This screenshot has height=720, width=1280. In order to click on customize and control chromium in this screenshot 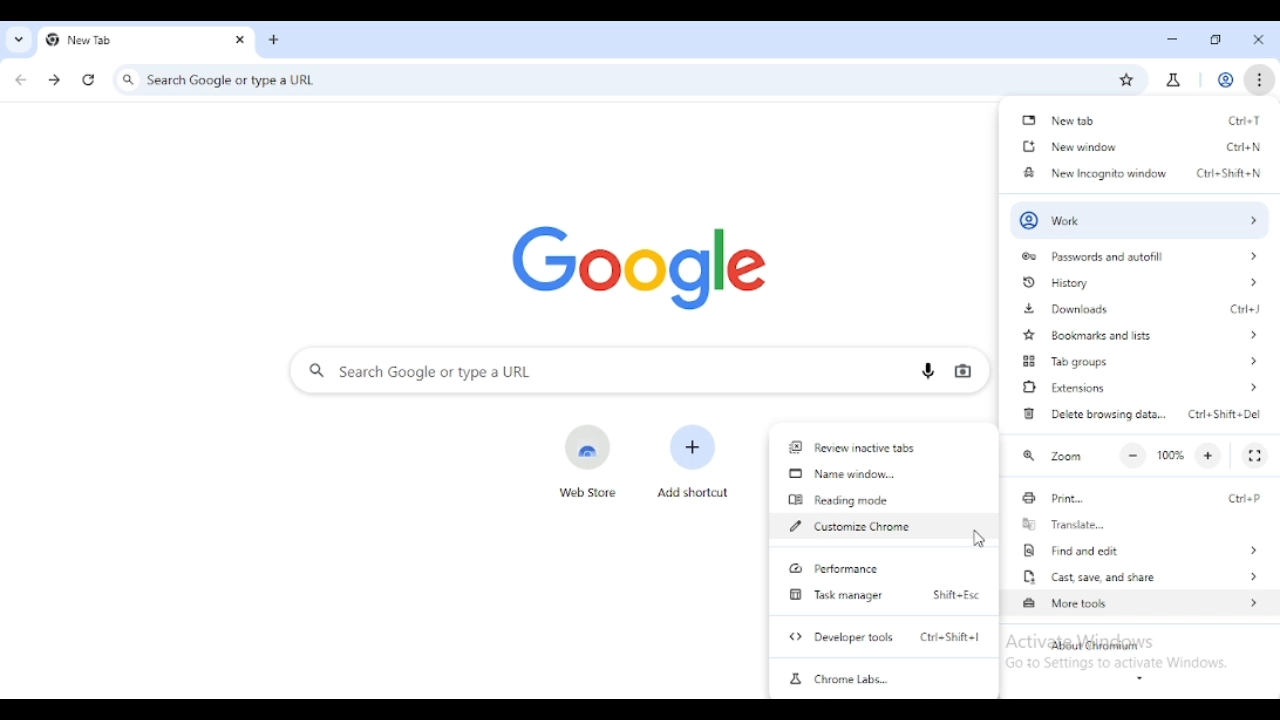, I will do `click(1261, 79)`.